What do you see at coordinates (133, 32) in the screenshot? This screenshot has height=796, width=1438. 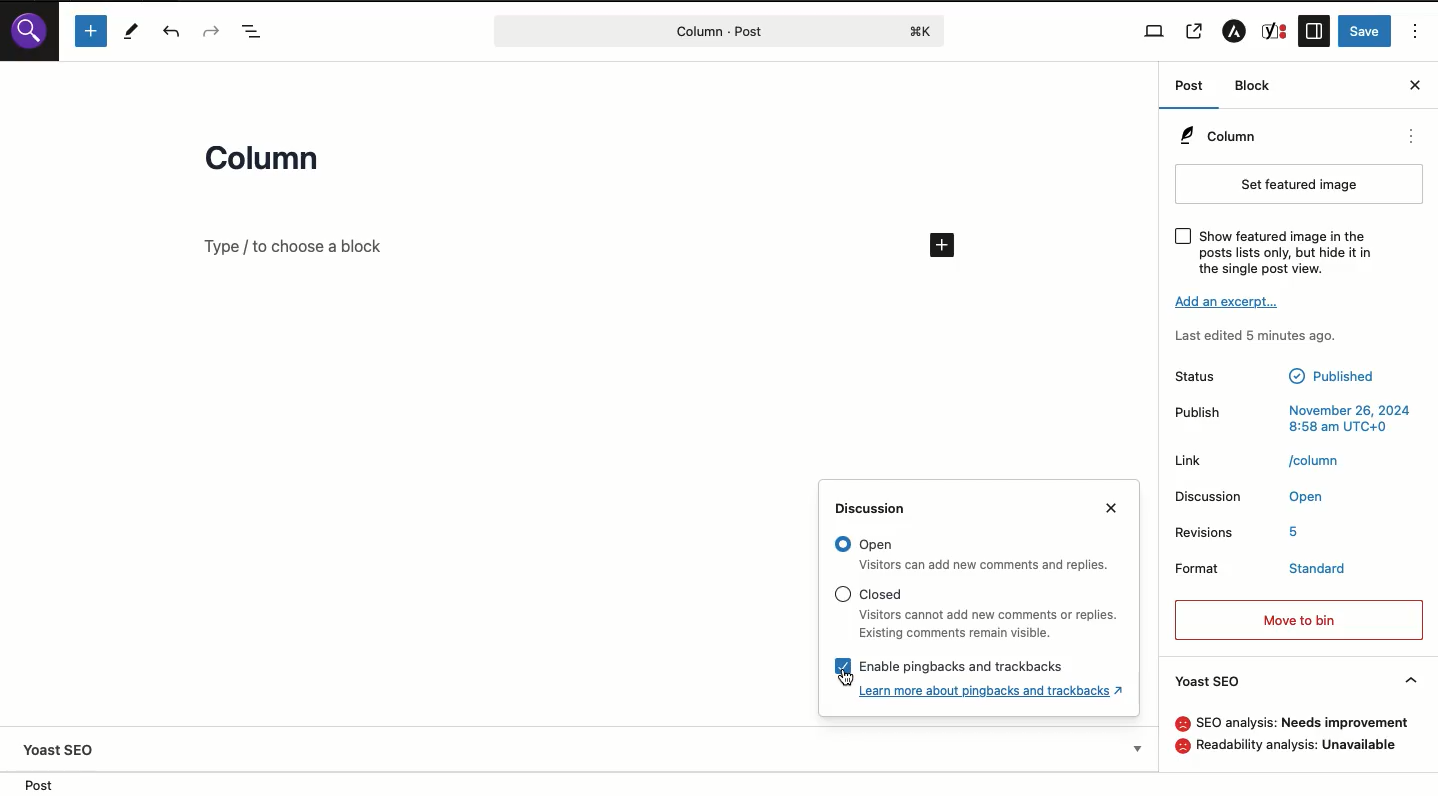 I see `Tools` at bounding box center [133, 32].